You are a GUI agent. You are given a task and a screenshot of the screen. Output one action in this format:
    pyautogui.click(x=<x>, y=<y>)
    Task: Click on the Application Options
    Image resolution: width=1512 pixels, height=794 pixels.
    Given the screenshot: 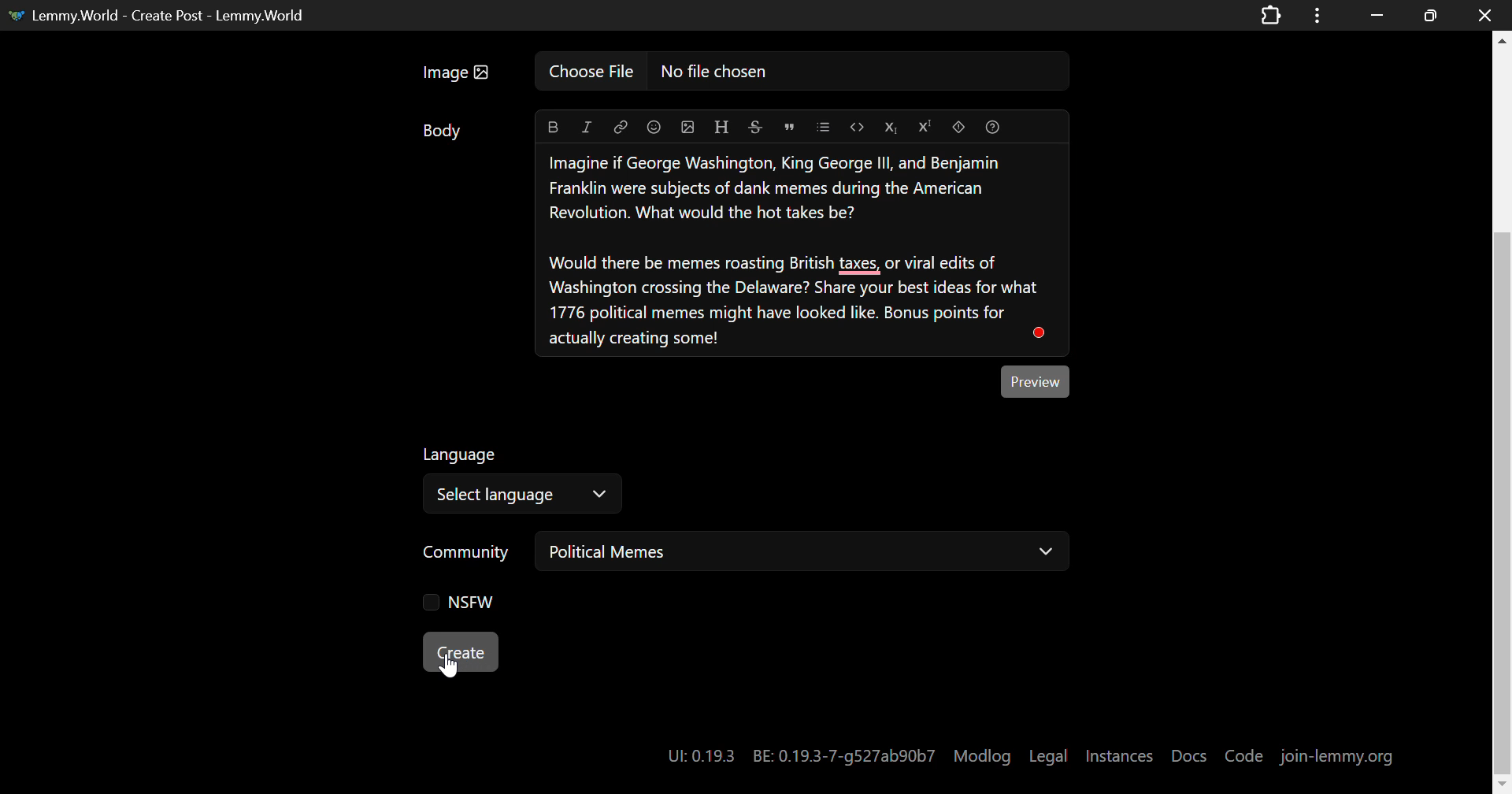 What is the action you would take?
    pyautogui.click(x=1317, y=14)
    